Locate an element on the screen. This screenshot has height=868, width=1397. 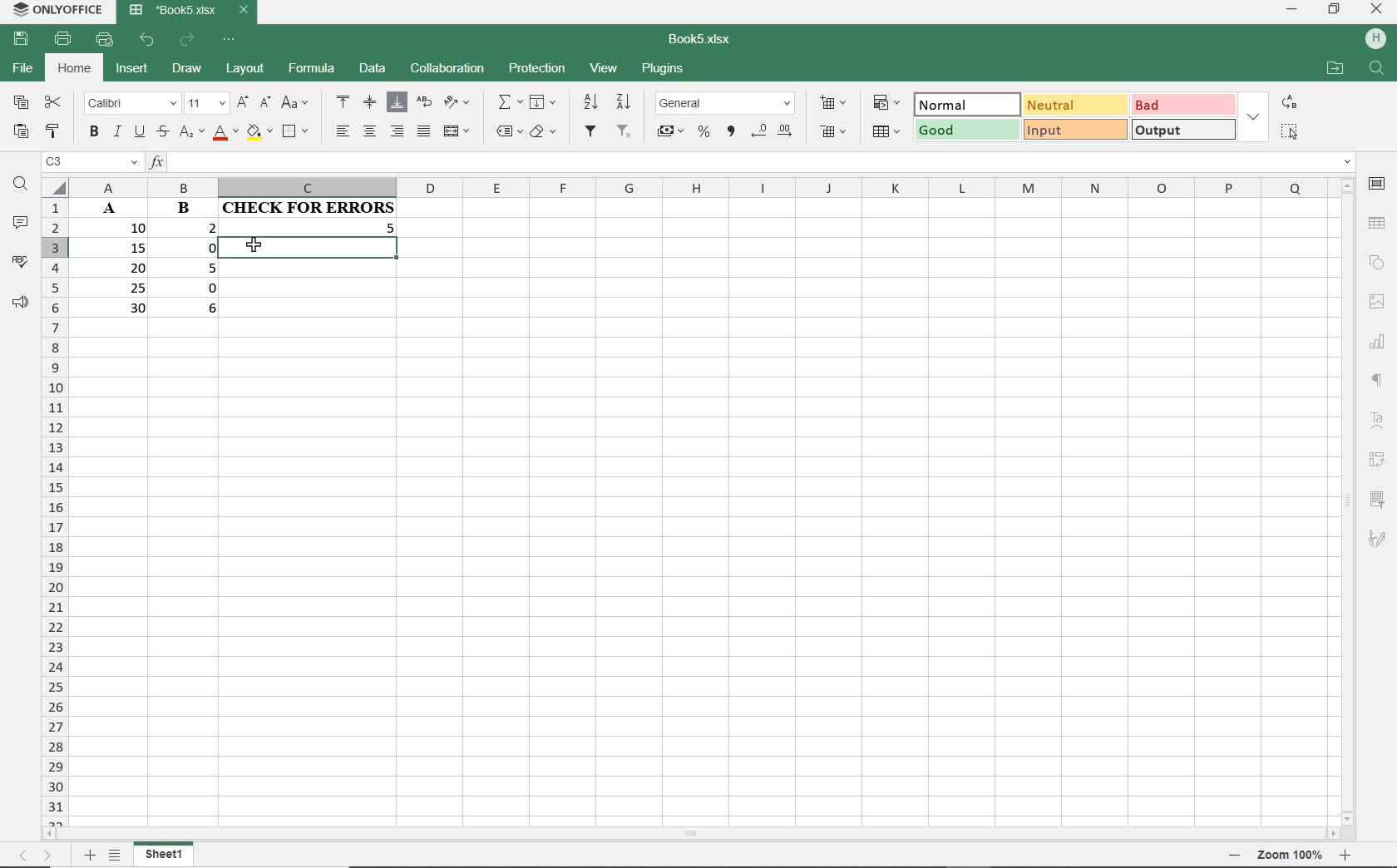
FORMAT AS TABLE TEMPLATE is located at coordinates (886, 131).